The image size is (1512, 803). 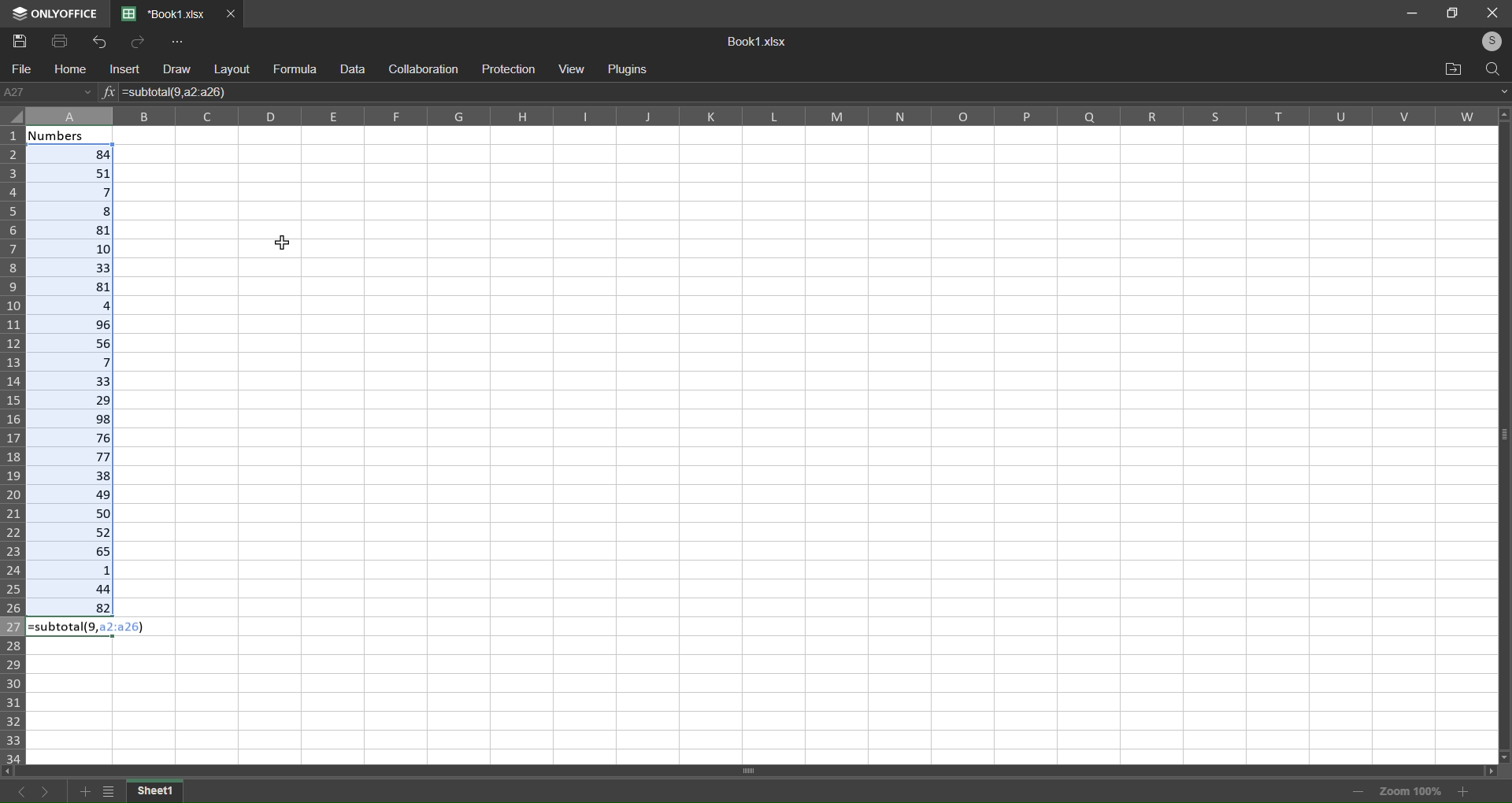 What do you see at coordinates (1498, 774) in the screenshot?
I see `move right` at bounding box center [1498, 774].